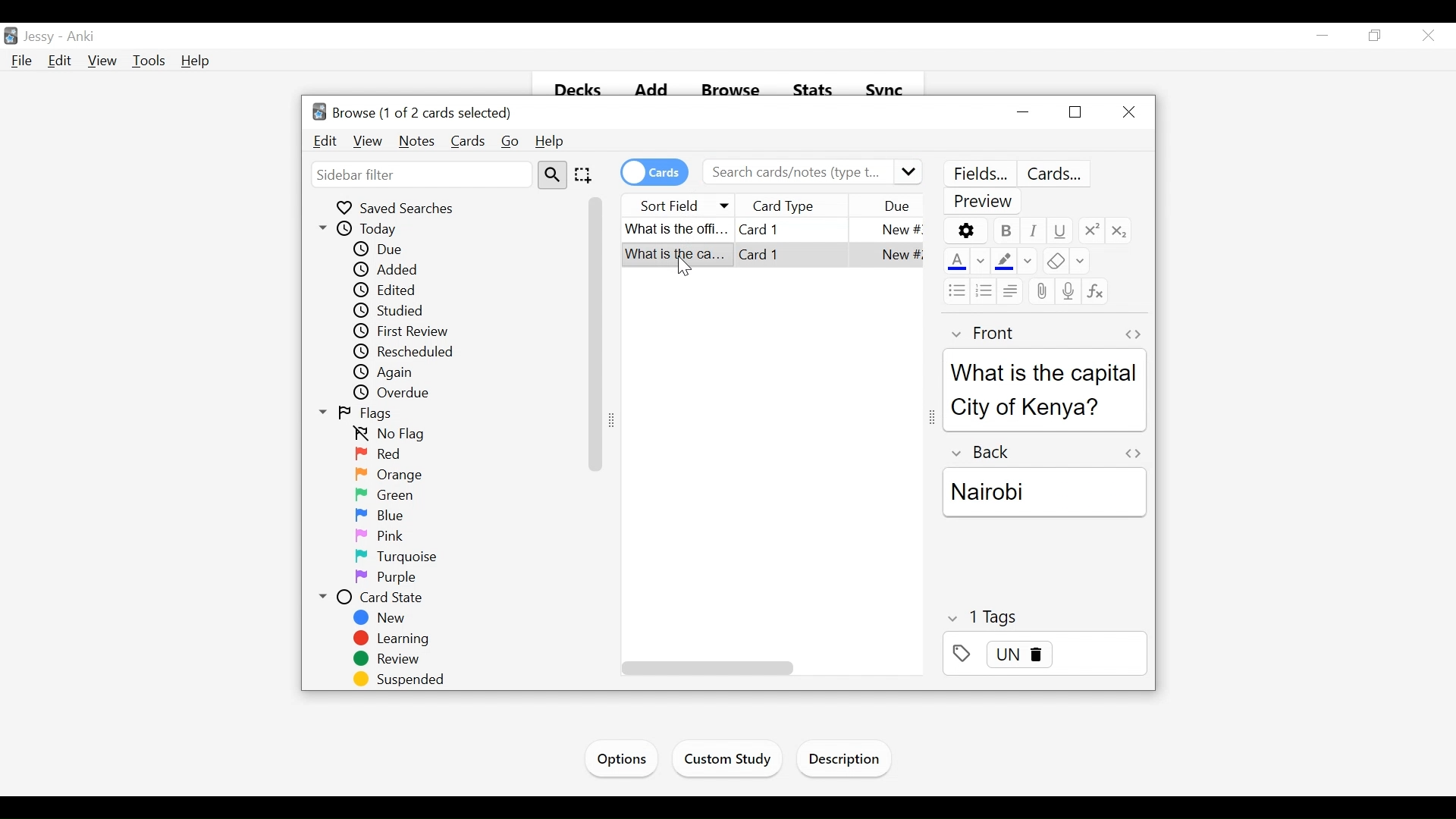  I want to click on Orange, so click(393, 474).